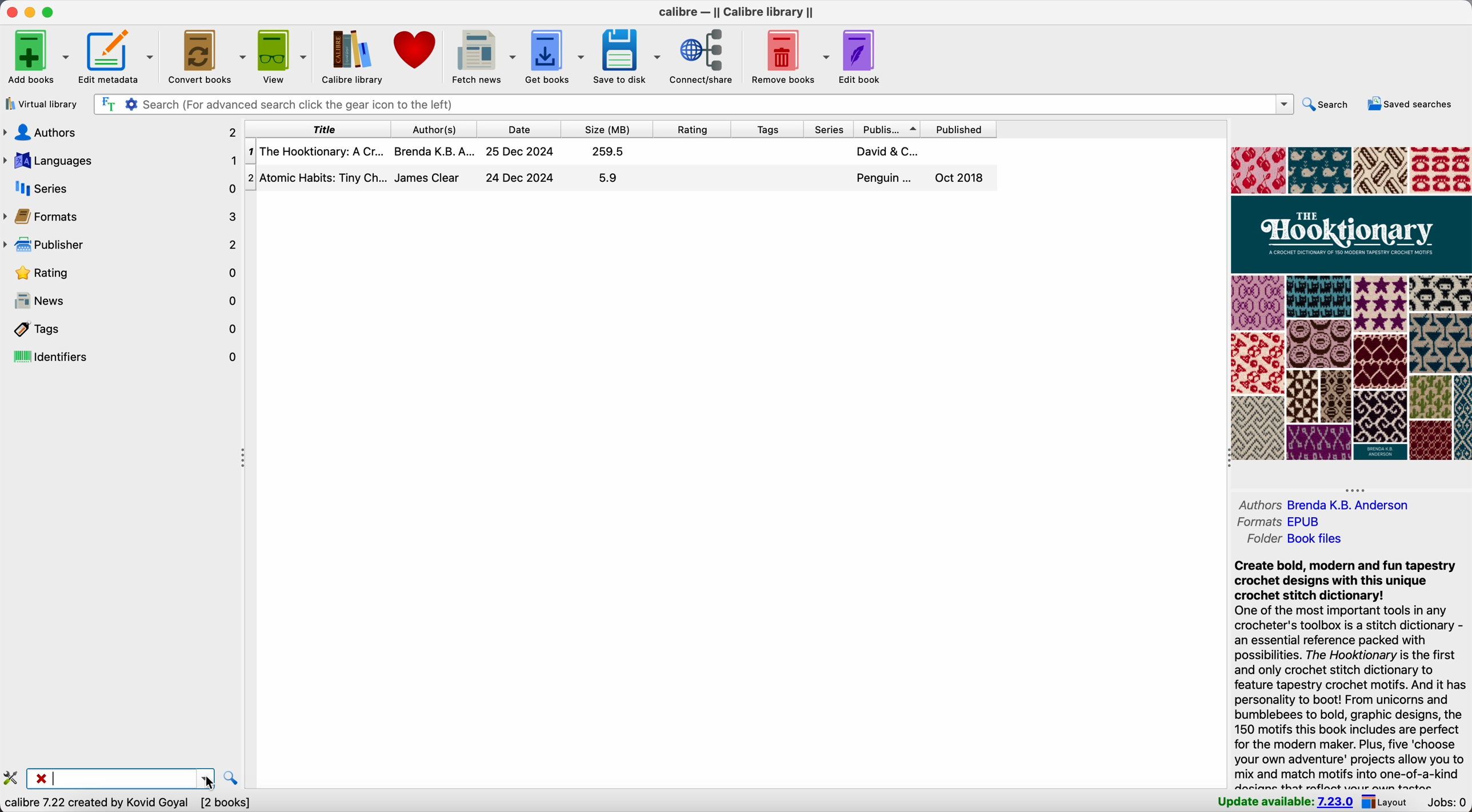 The height and width of the screenshot is (812, 1472). What do you see at coordinates (770, 129) in the screenshot?
I see `tags` at bounding box center [770, 129].